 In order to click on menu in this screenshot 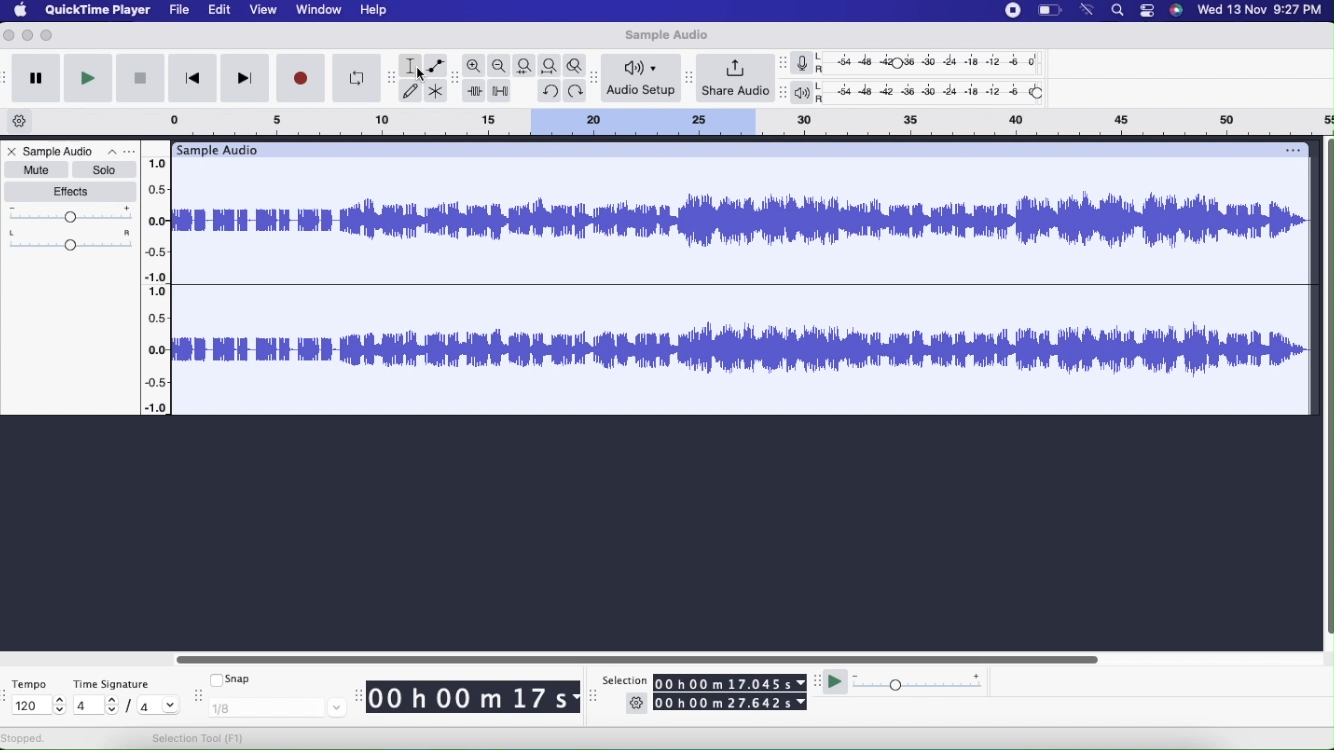, I will do `click(1013, 10)`.